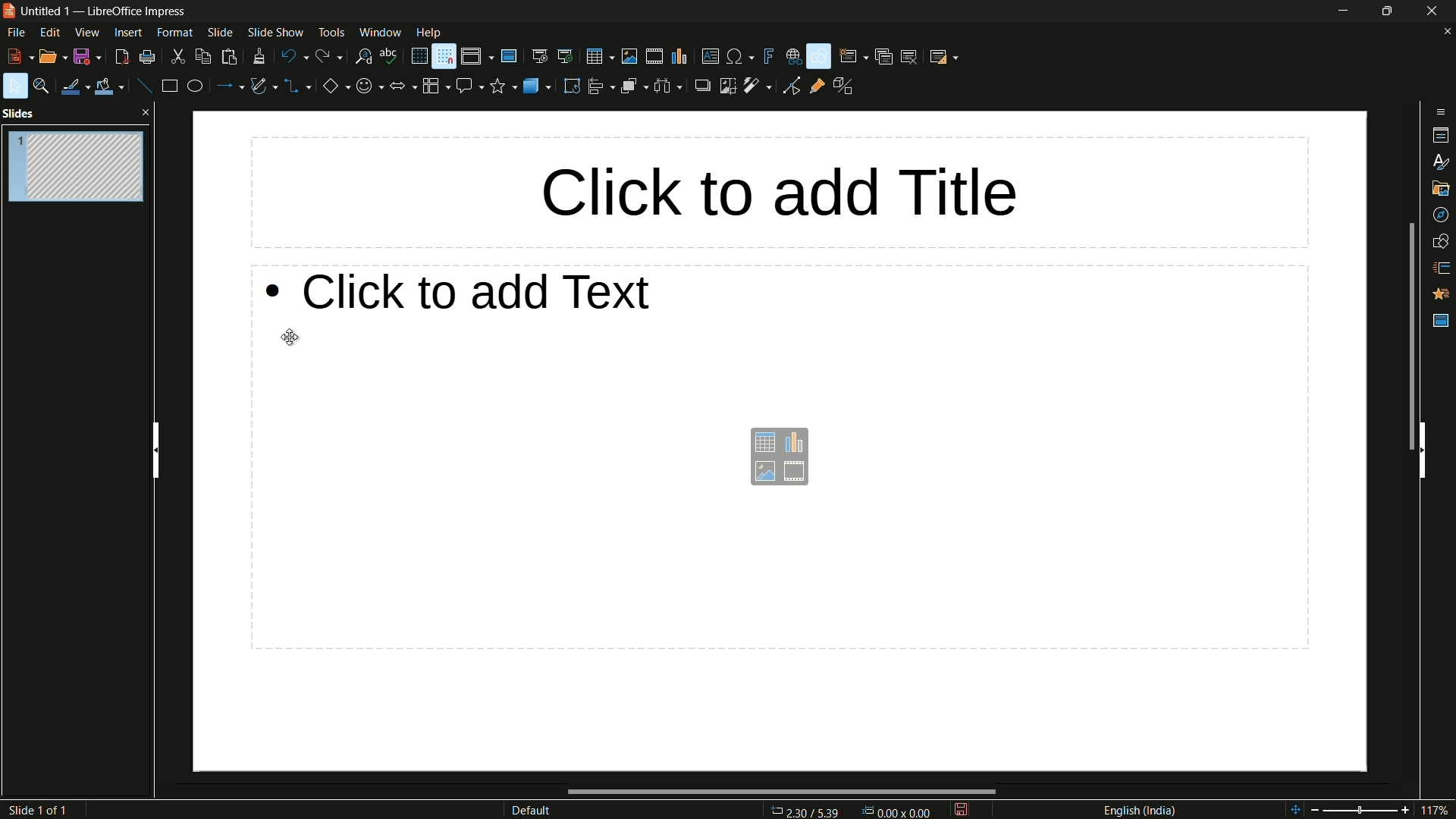  What do you see at coordinates (119, 58) in the screenshot?
I see `export directly as pdf` at bounding box center [119, 58].